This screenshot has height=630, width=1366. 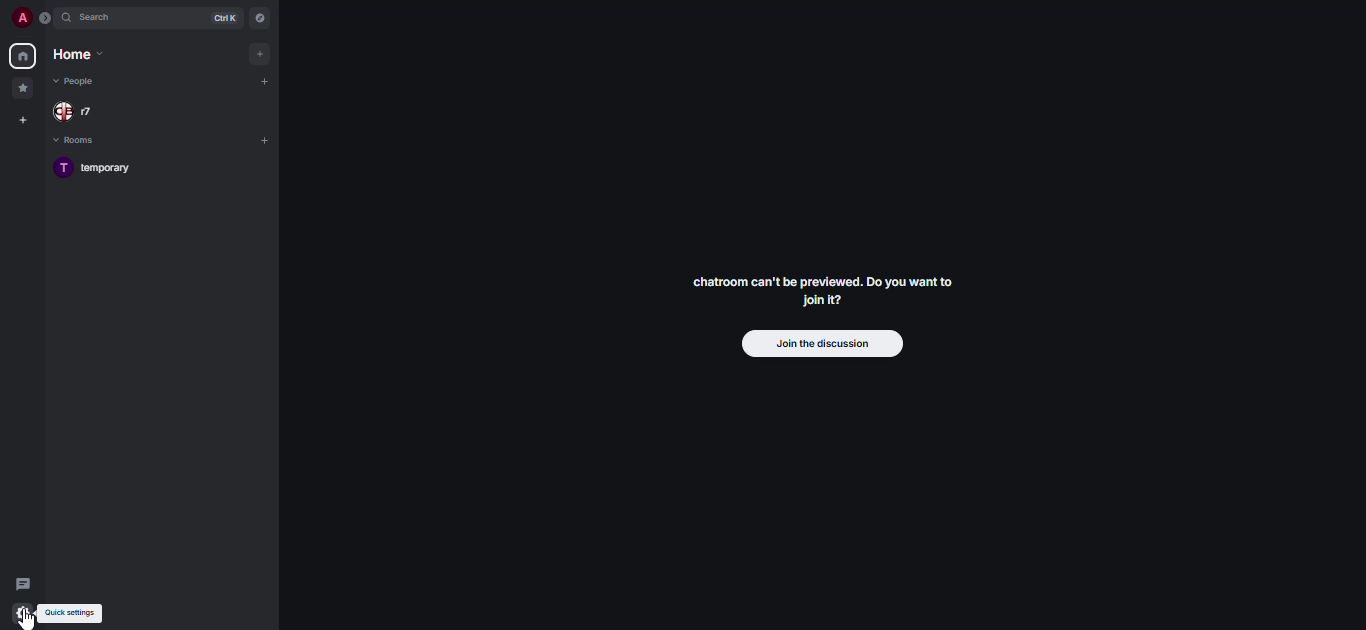 What do you see at coordinates (80, 82) in the screenshot?
I see `people` at bounding box center [80, 82].